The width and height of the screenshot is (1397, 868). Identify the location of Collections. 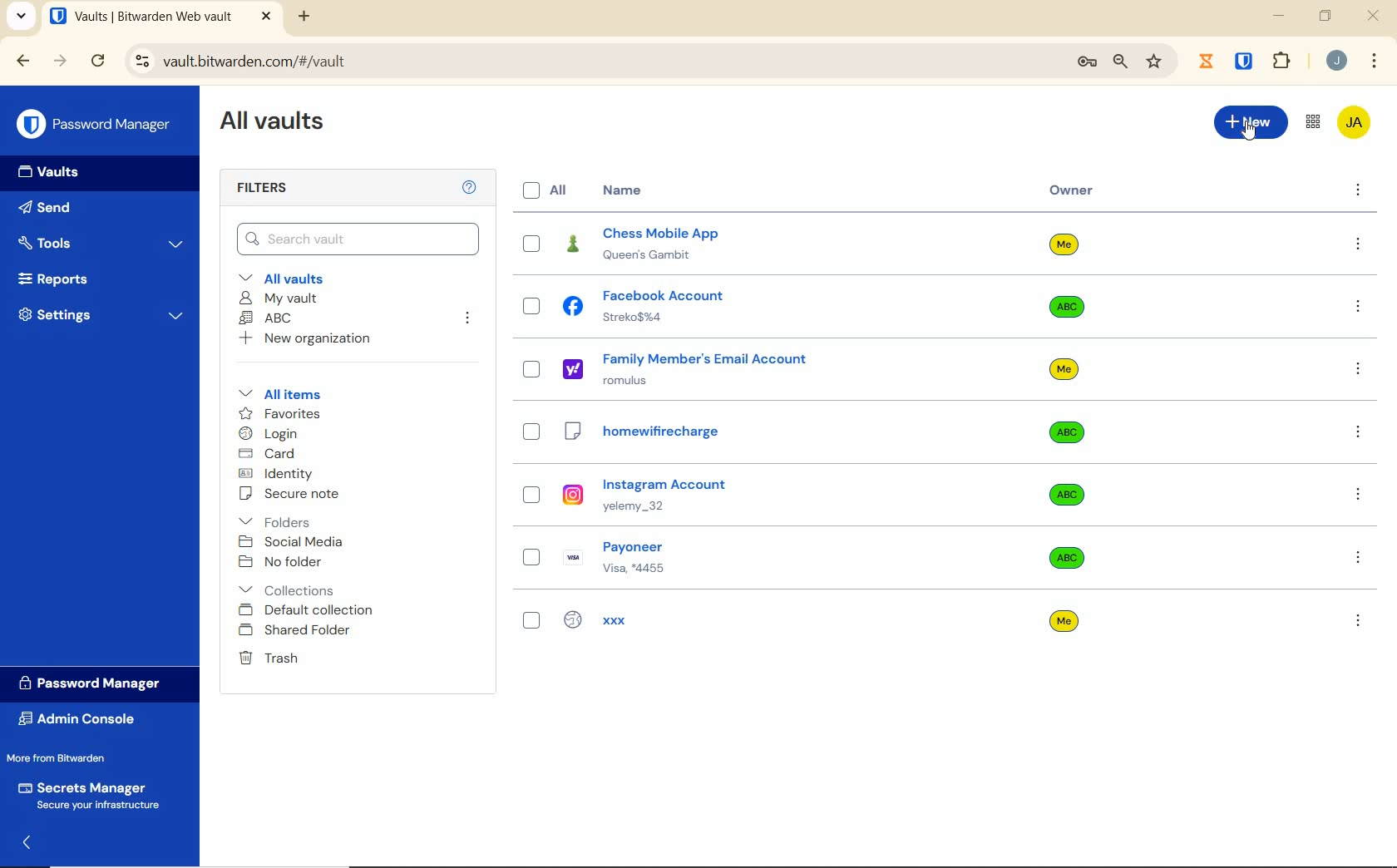
(290, 587).